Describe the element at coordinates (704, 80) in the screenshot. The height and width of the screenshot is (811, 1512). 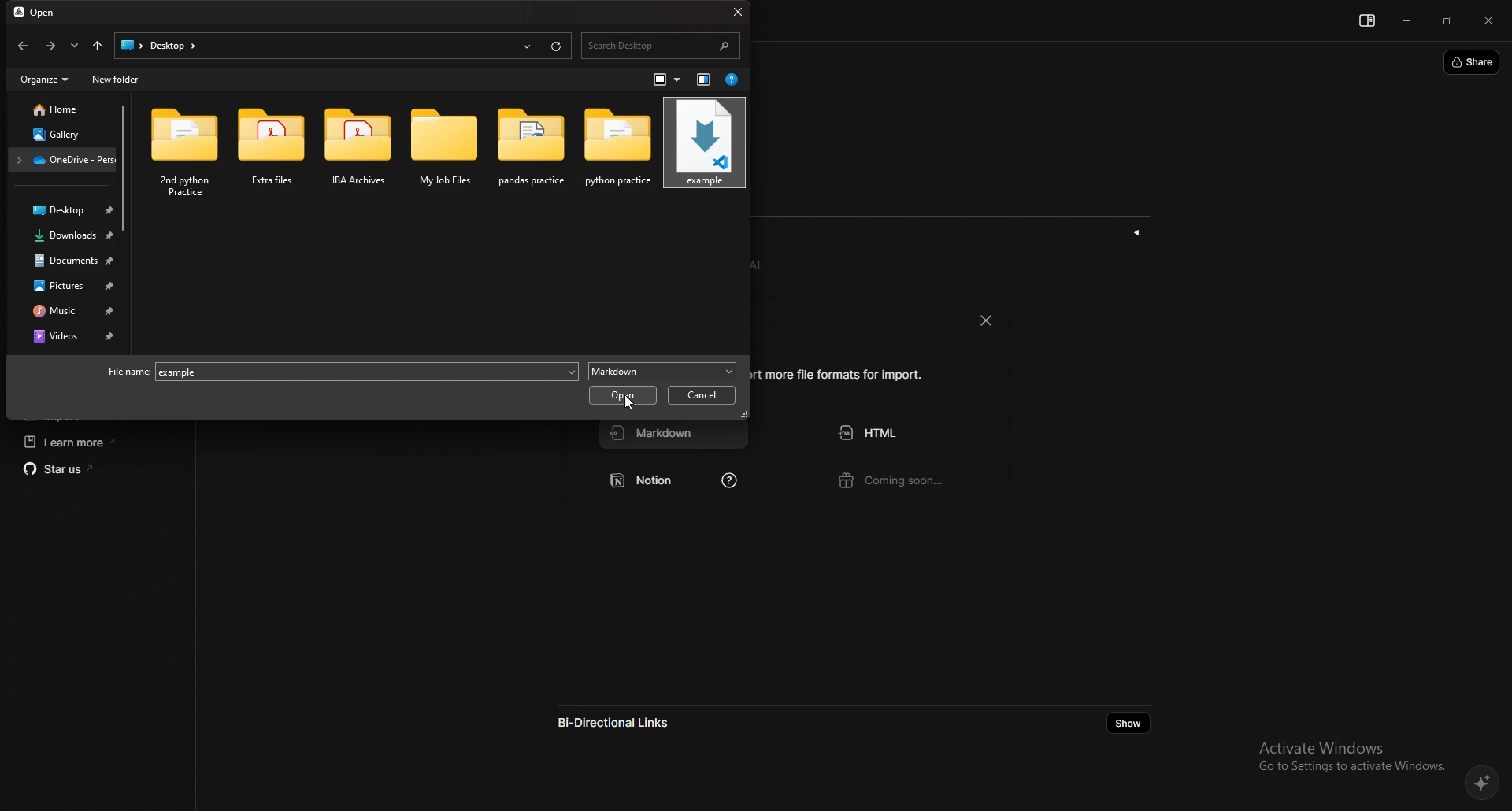
I see `show the preview pane` at that location.